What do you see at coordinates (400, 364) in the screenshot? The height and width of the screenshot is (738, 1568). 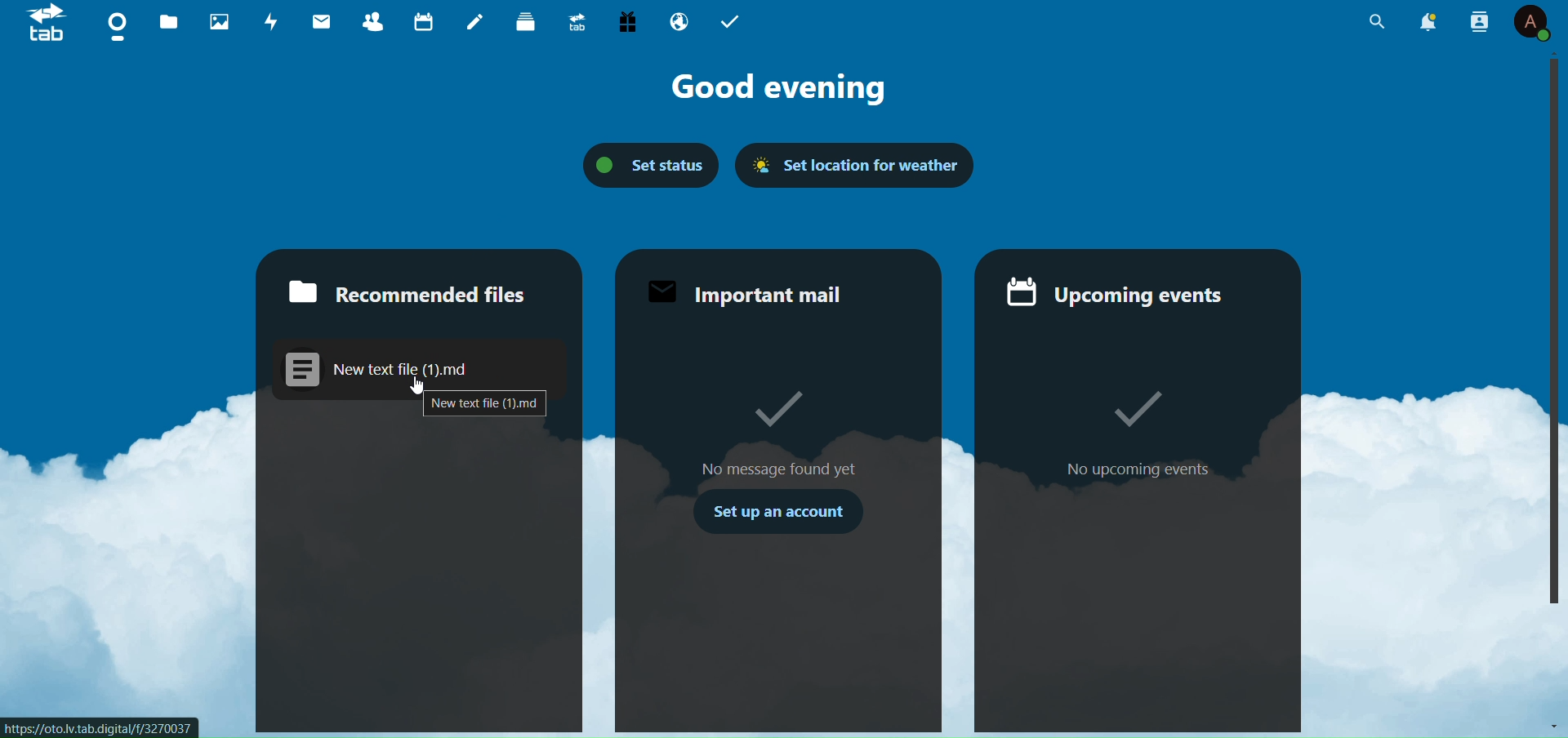 I see `new text file` at bounding box center [400, 364].